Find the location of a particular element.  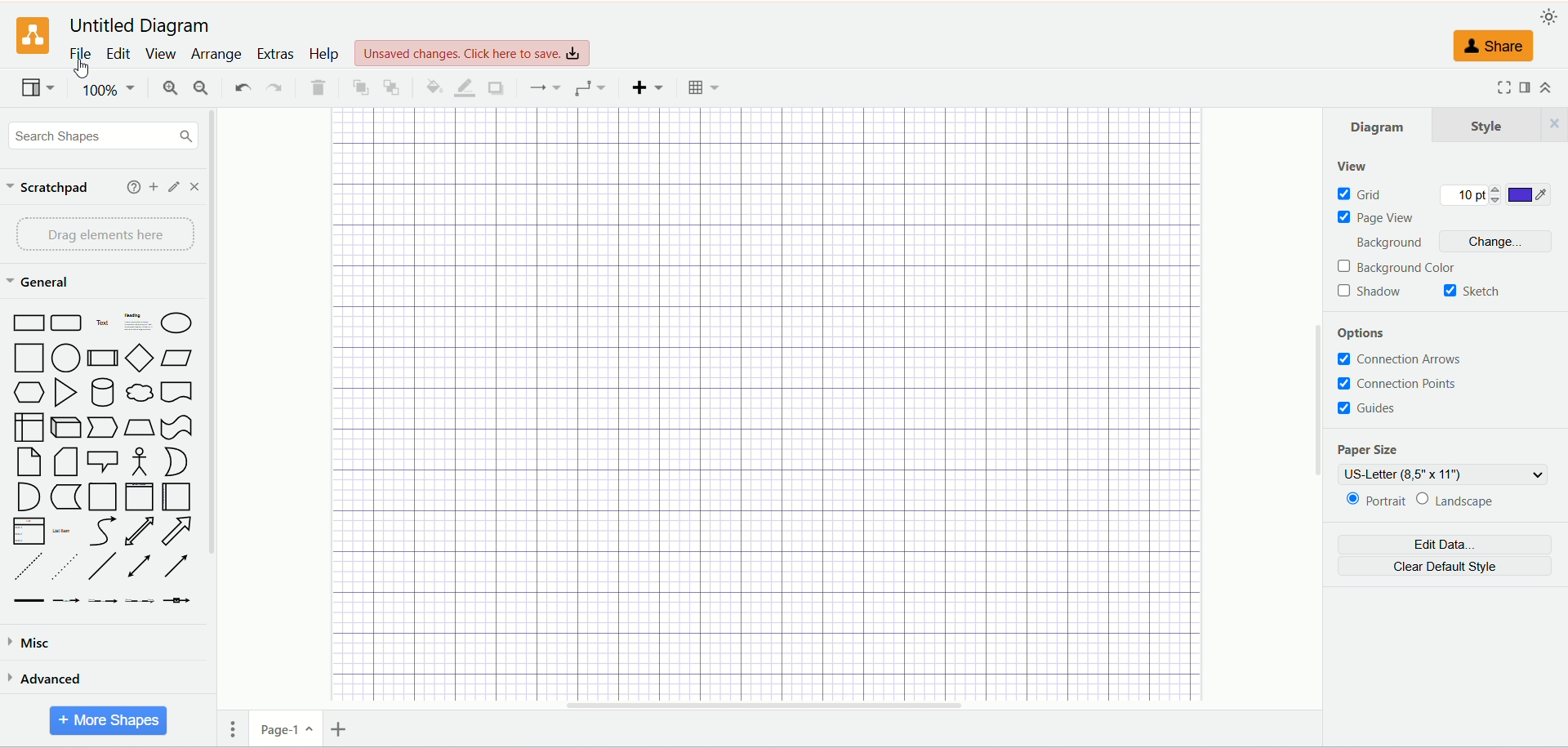

to front is located at coordinates (359, 86).